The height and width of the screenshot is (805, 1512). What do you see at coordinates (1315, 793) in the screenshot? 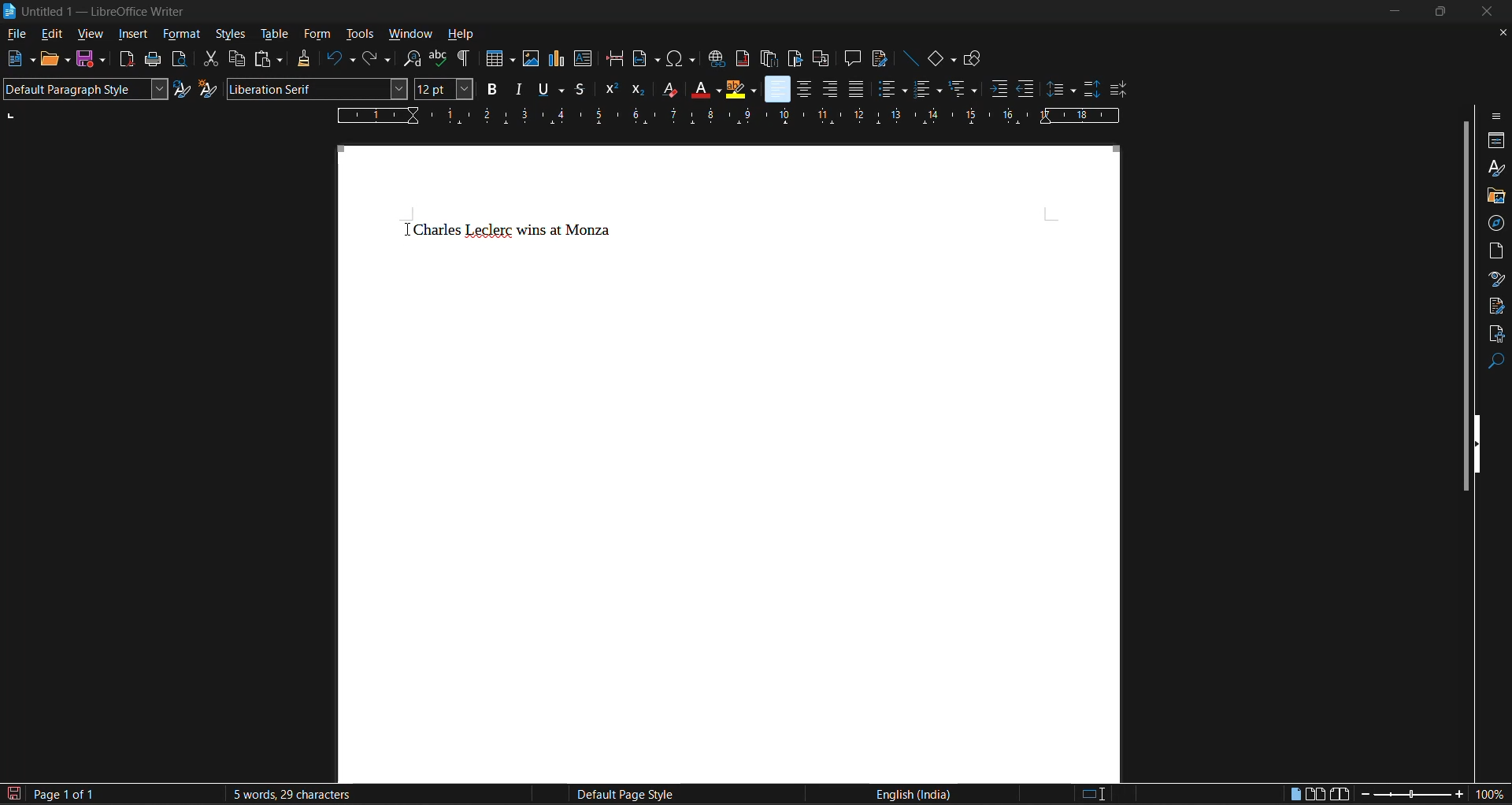
I see `multiple page view` at bounding box center [1315, 793].